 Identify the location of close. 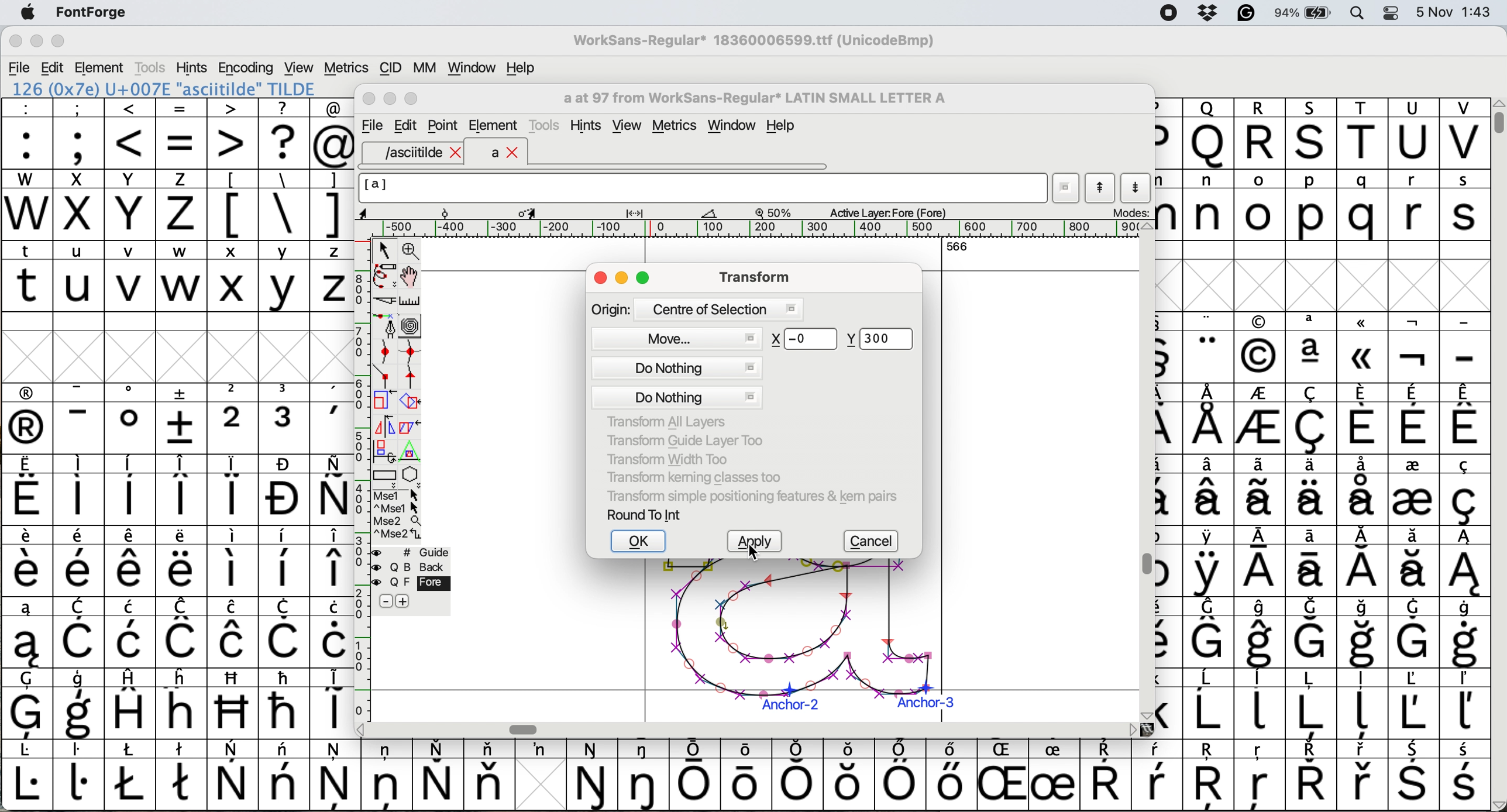
(600, 279).